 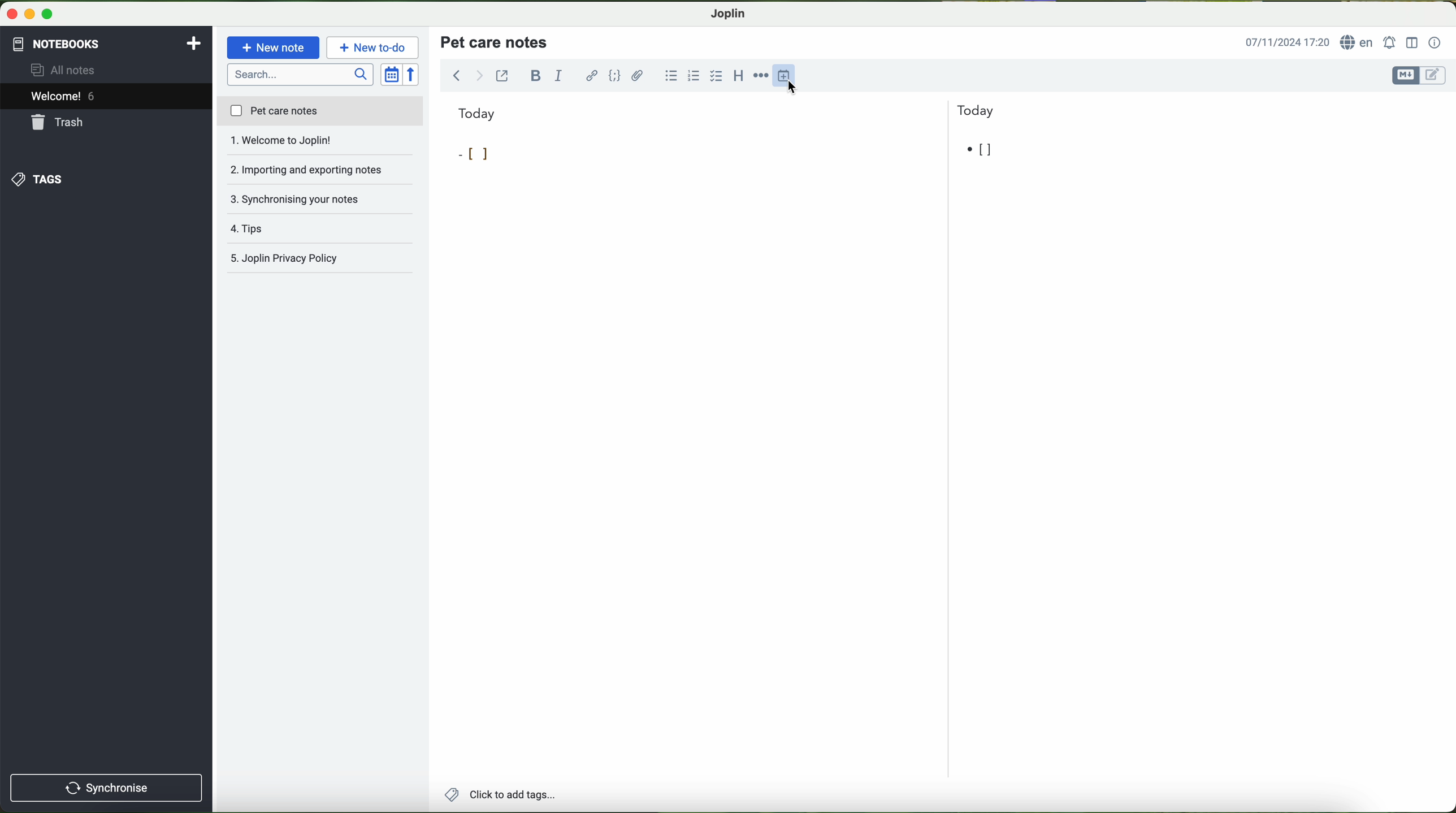 What do you see at coordinates (789, 75) in the screenshot?
I see `insert time` at bounding box center [789, 75].